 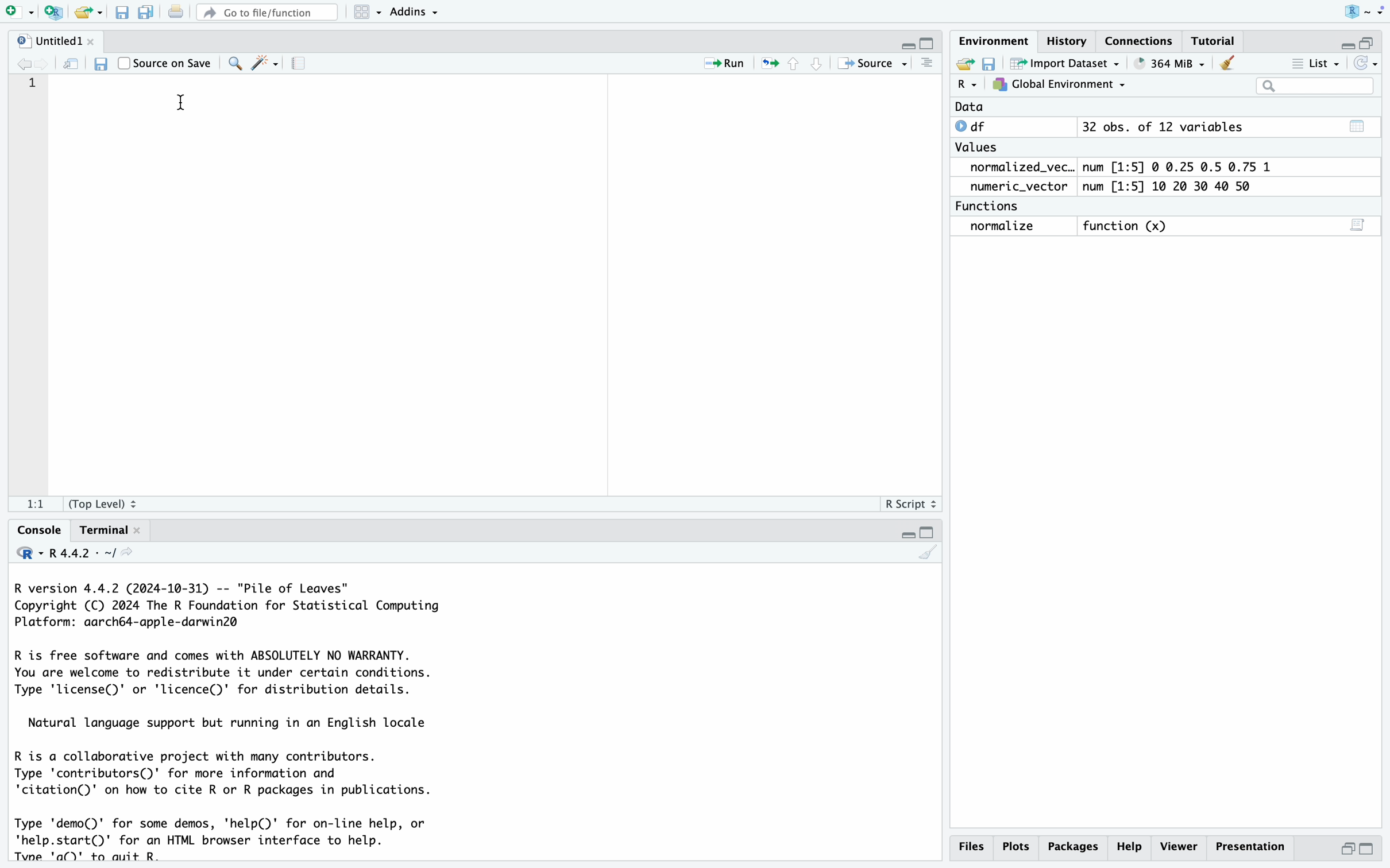 What do you see at coordinates (236, 720) in the screenshot?
I see `Code` at bounding box center [236, 720].